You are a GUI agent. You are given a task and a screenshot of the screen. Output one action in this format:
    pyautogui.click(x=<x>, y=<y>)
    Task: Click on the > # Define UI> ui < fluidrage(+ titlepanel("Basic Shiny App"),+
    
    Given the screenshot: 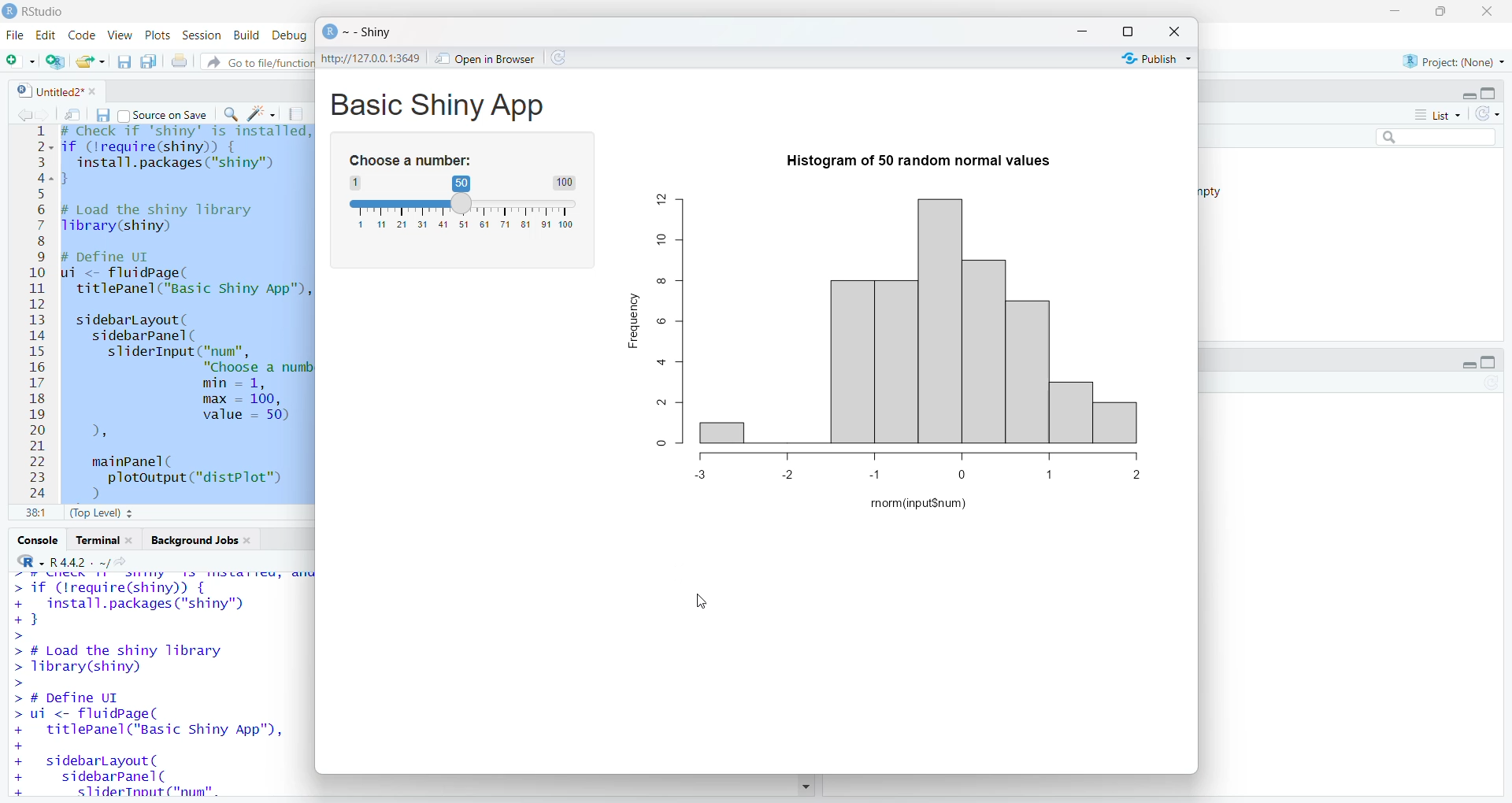 What is the action you would take?
    pyautogui.click(x=150, y=720)
    